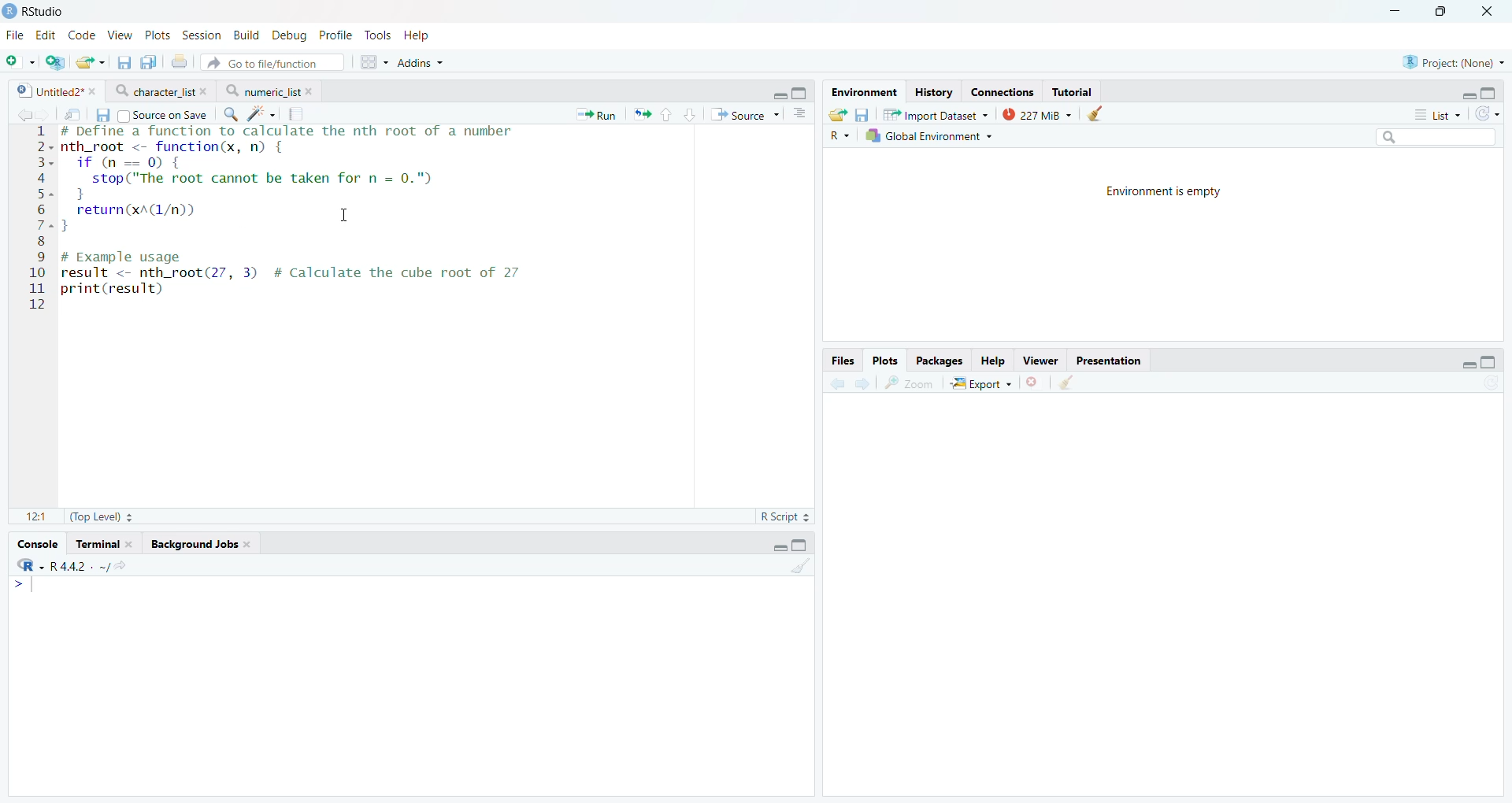  Describe the element at coordinates (641, 115) in the screenshot. I see `Re-run previous code section` at that location.